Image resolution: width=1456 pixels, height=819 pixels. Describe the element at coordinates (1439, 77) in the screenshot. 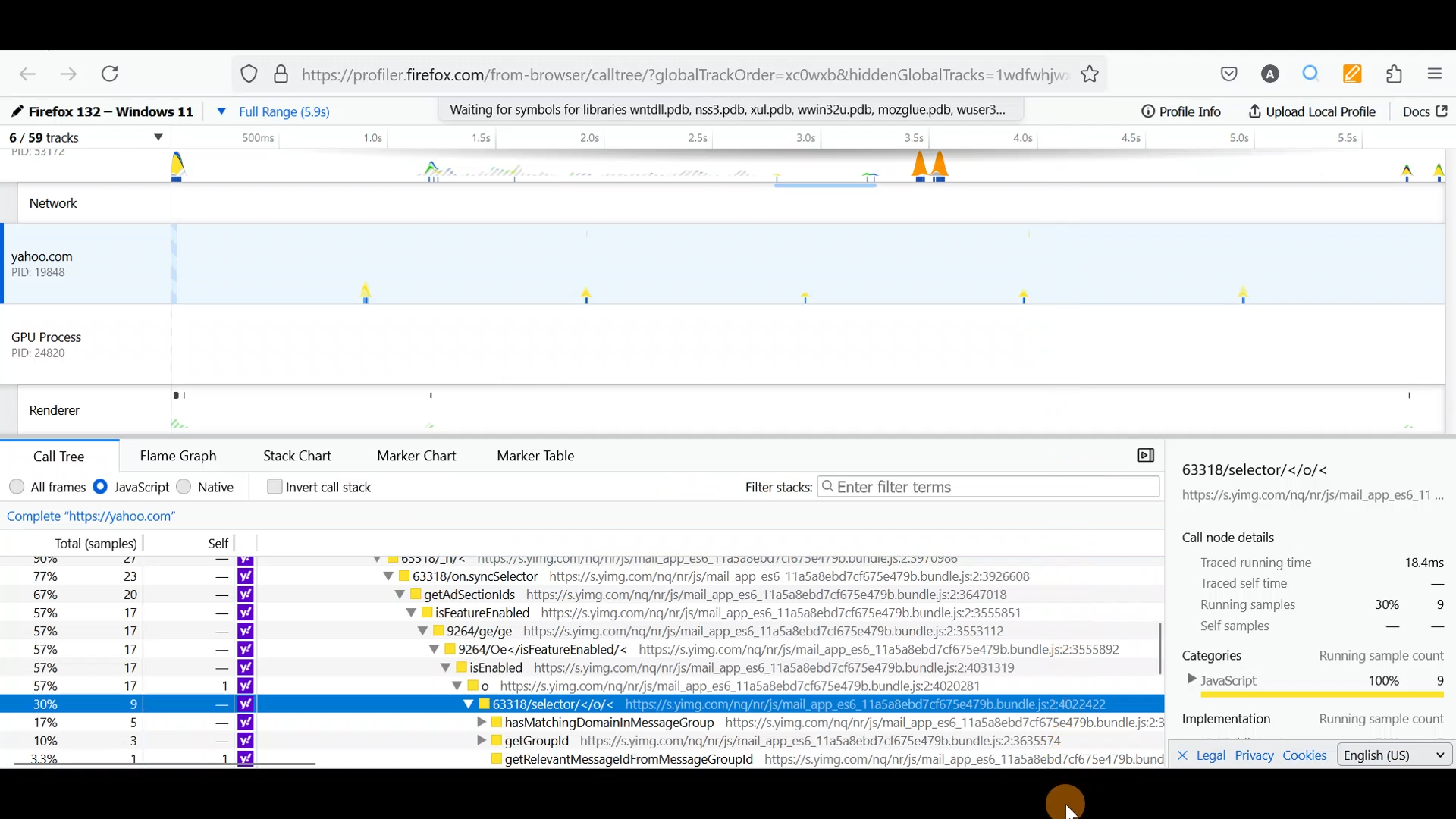

I see `Open application menu` at that location.